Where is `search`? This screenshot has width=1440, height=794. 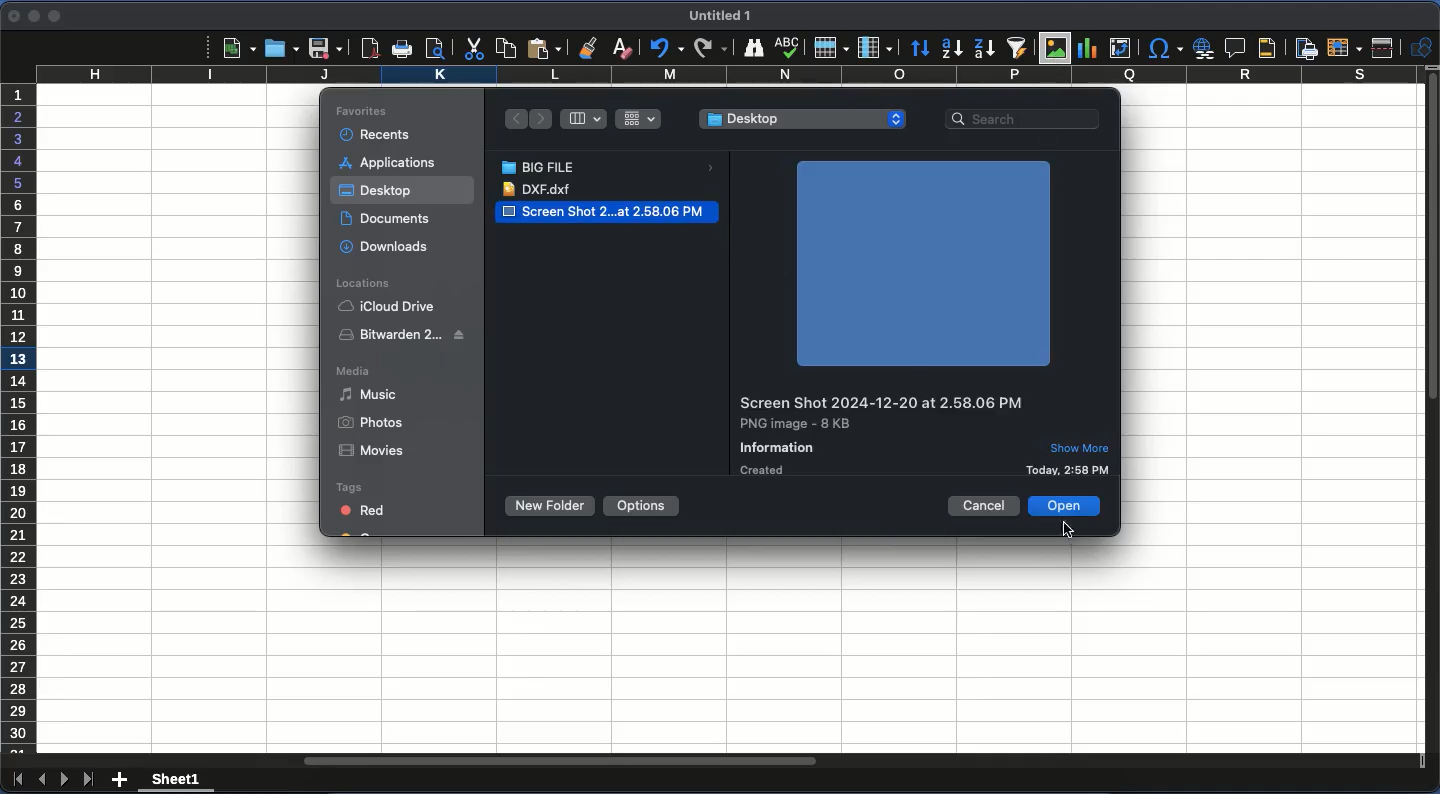
search is located at coordinates (1030, 116).